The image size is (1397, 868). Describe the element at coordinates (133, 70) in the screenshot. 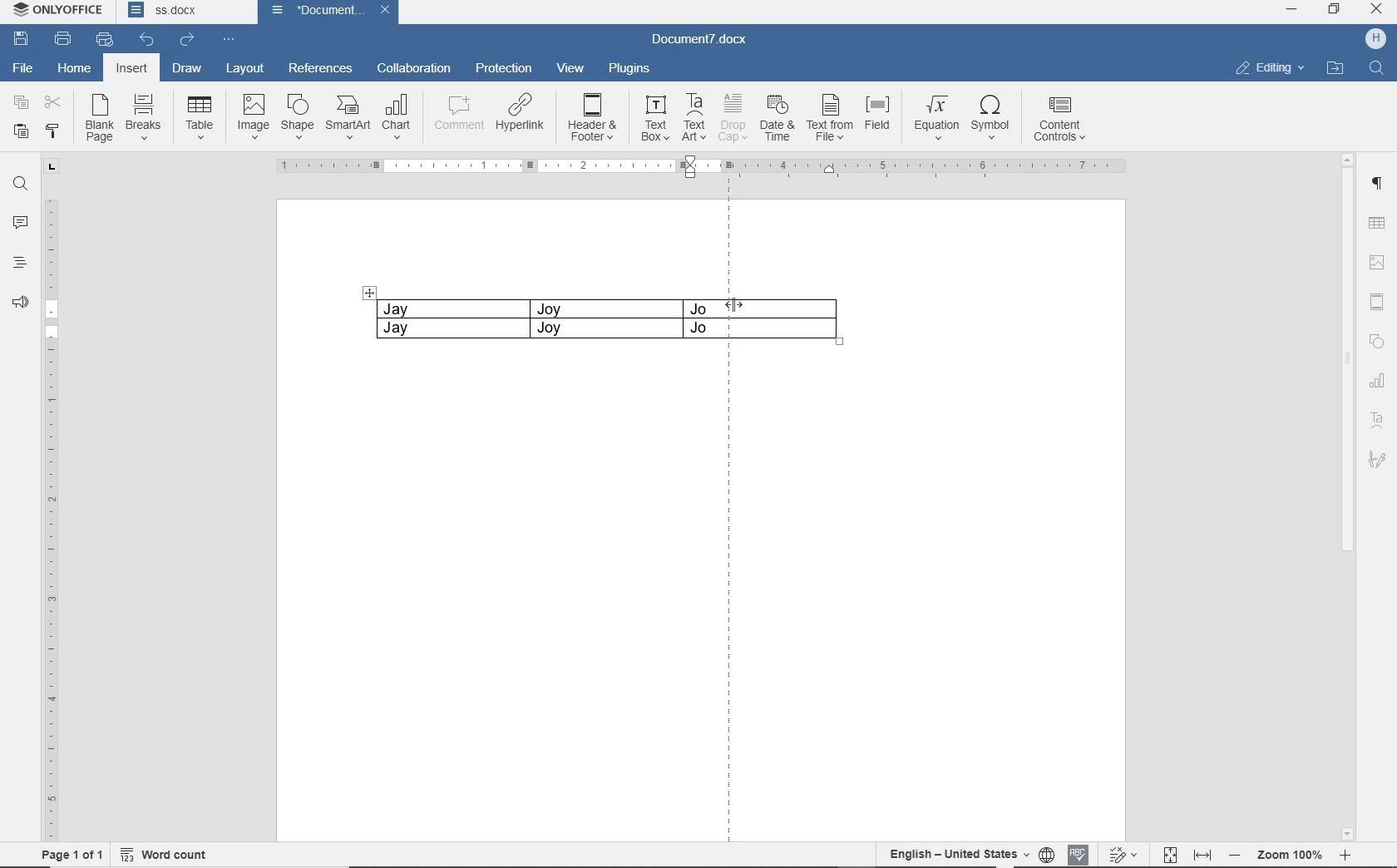

I see `INSERT` at that location.